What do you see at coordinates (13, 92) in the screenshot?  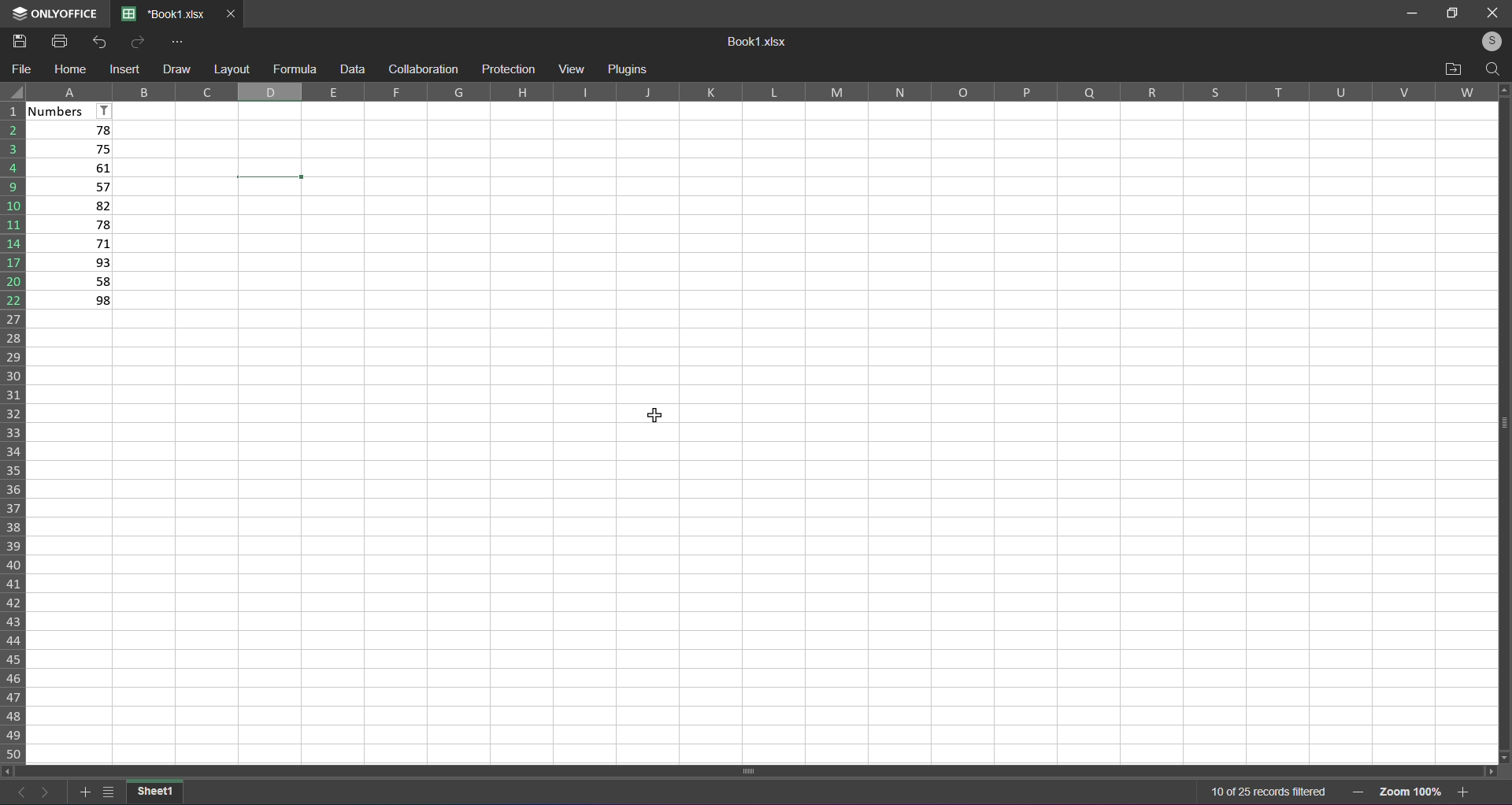 I see `select all` at bounding box center [13, 92].